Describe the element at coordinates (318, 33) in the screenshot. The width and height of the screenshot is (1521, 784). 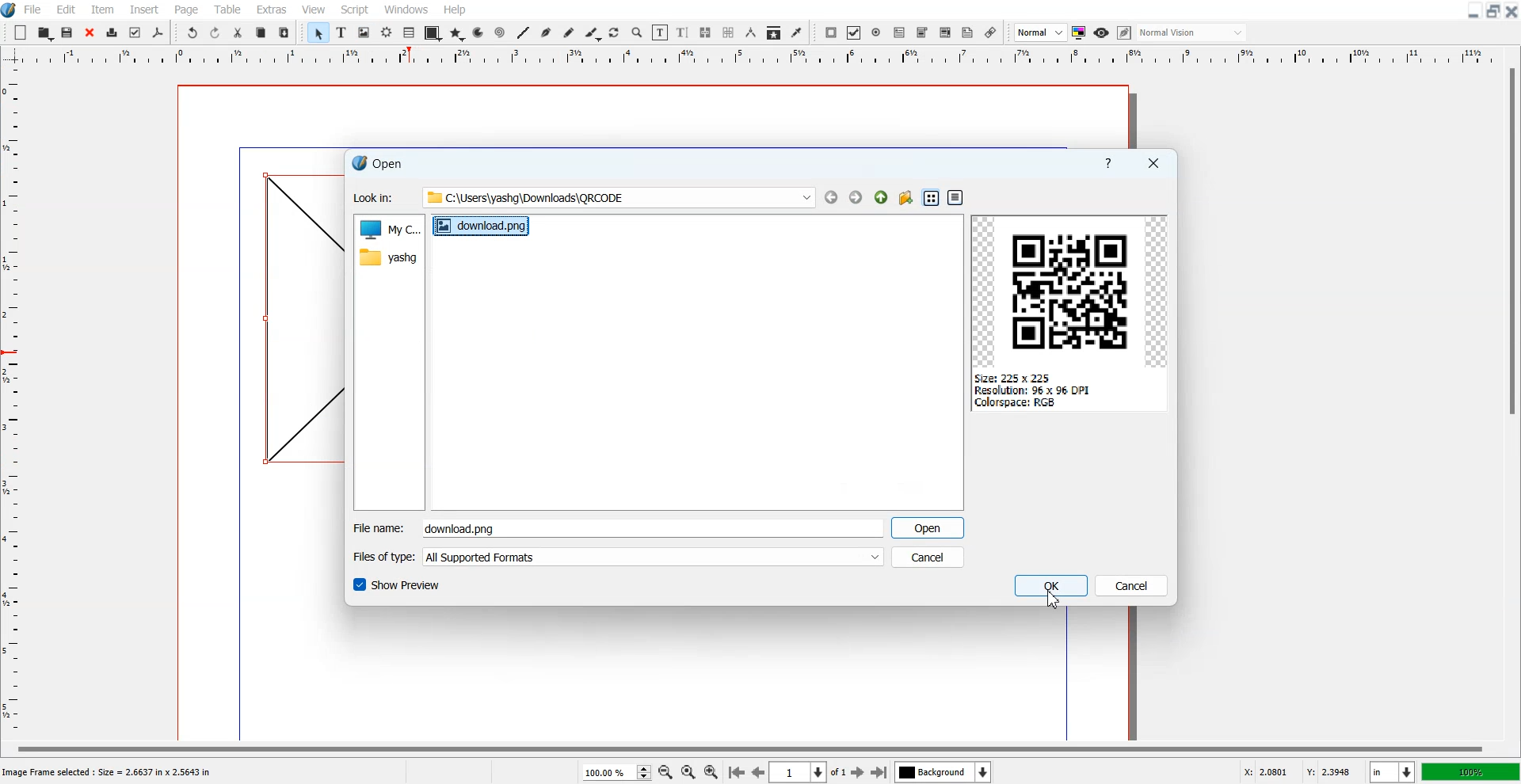
I see `Select Item` at that location.